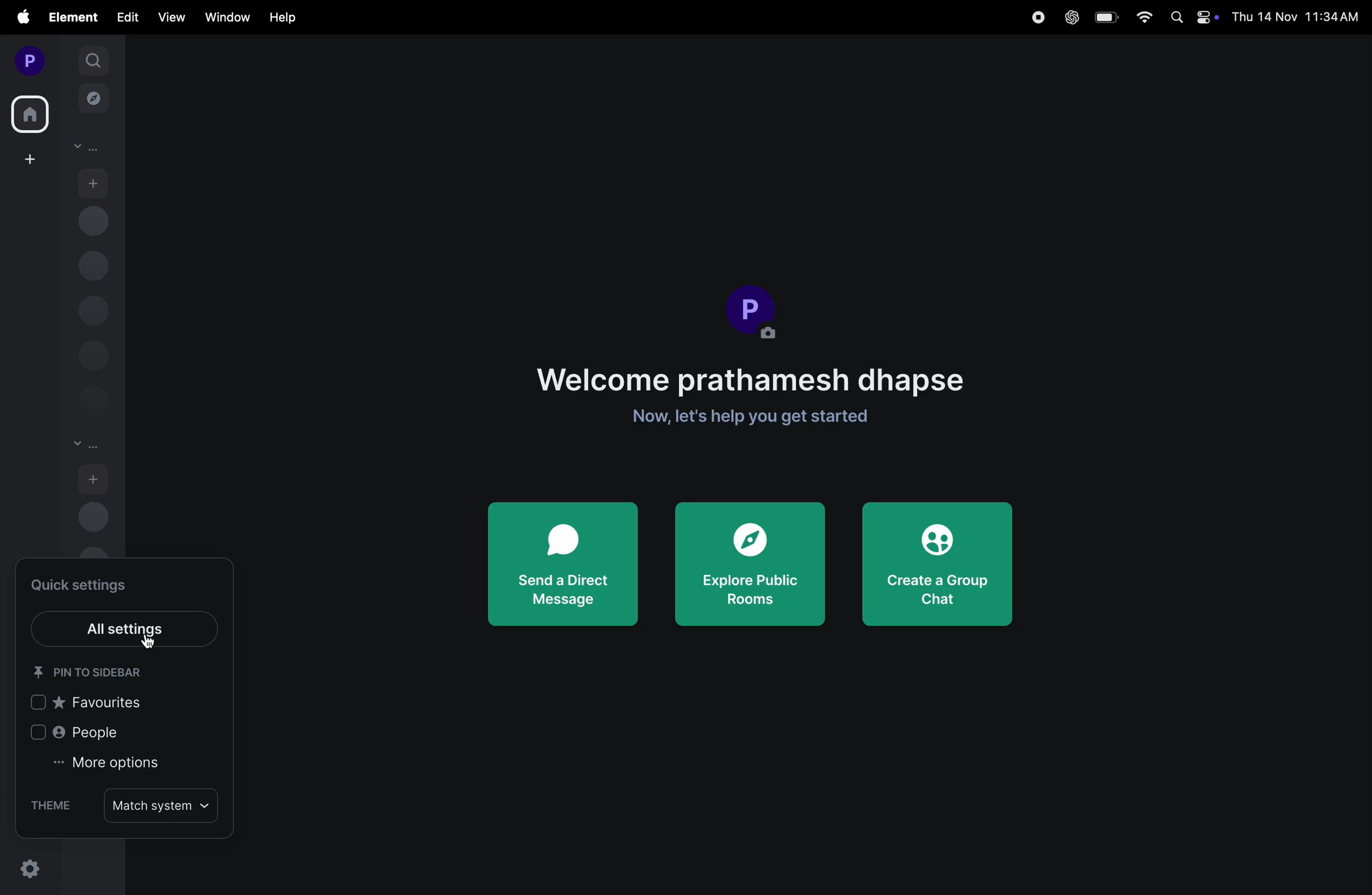 The image size is (1372, 895). I want to click on apple menu, so click(17, 18).